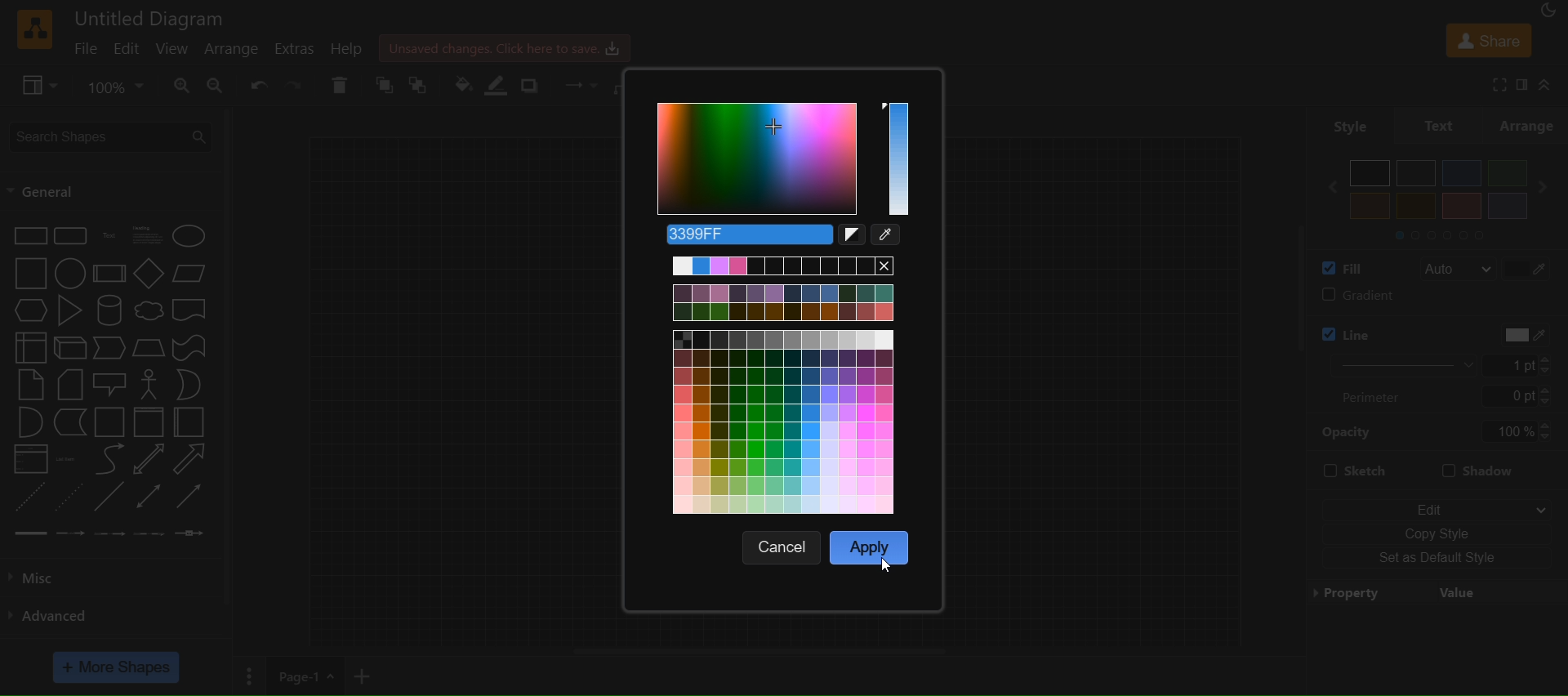 The height and width of the screenshot is (696, 1568). Describe the element at coordinates (219, 86) in the screenshot. I see `zoom out` at that location.